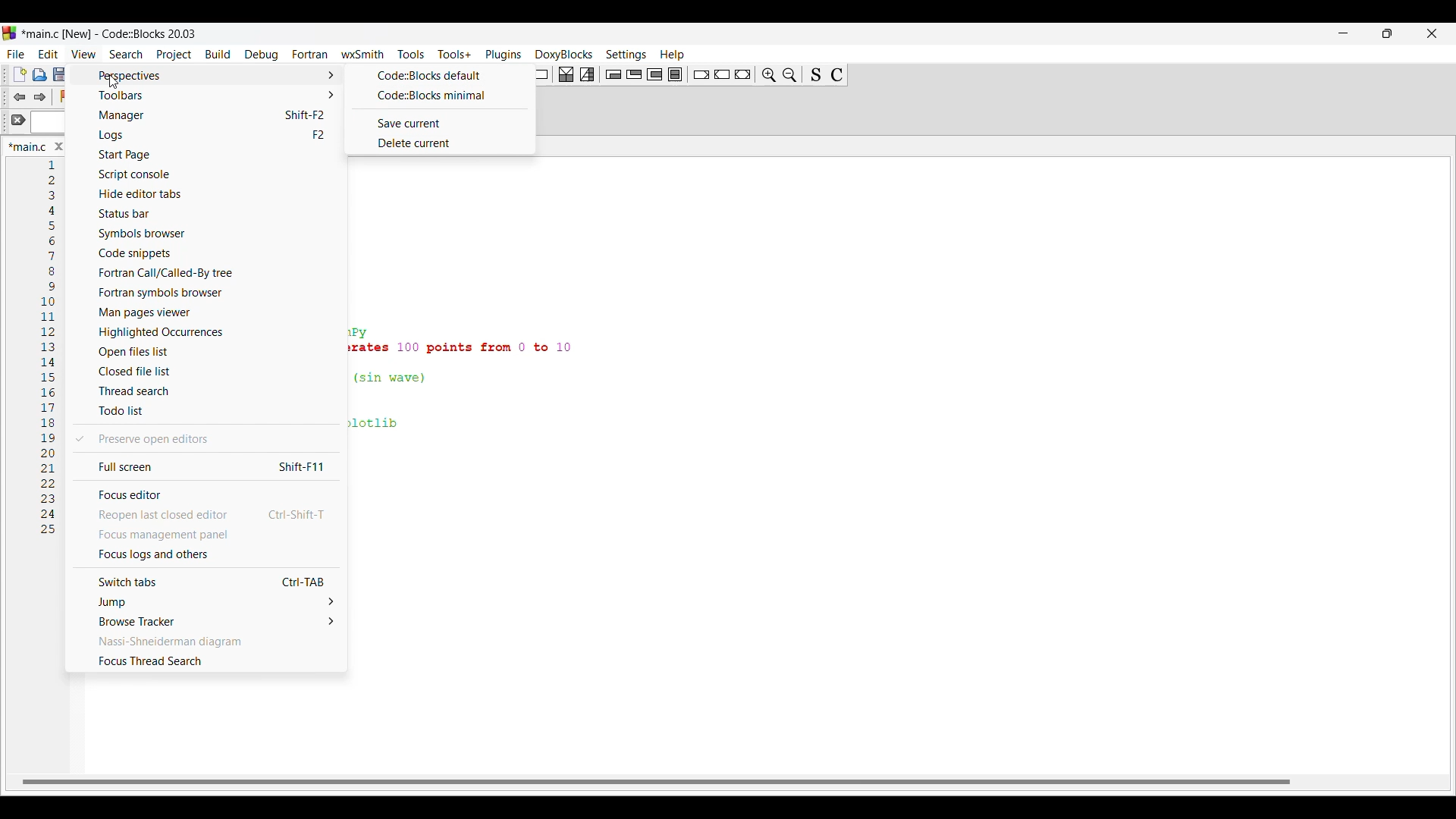  What do you see at coordinates (60, 74) in the screenshot?
I see `Save` at bounding box center [60, 74].